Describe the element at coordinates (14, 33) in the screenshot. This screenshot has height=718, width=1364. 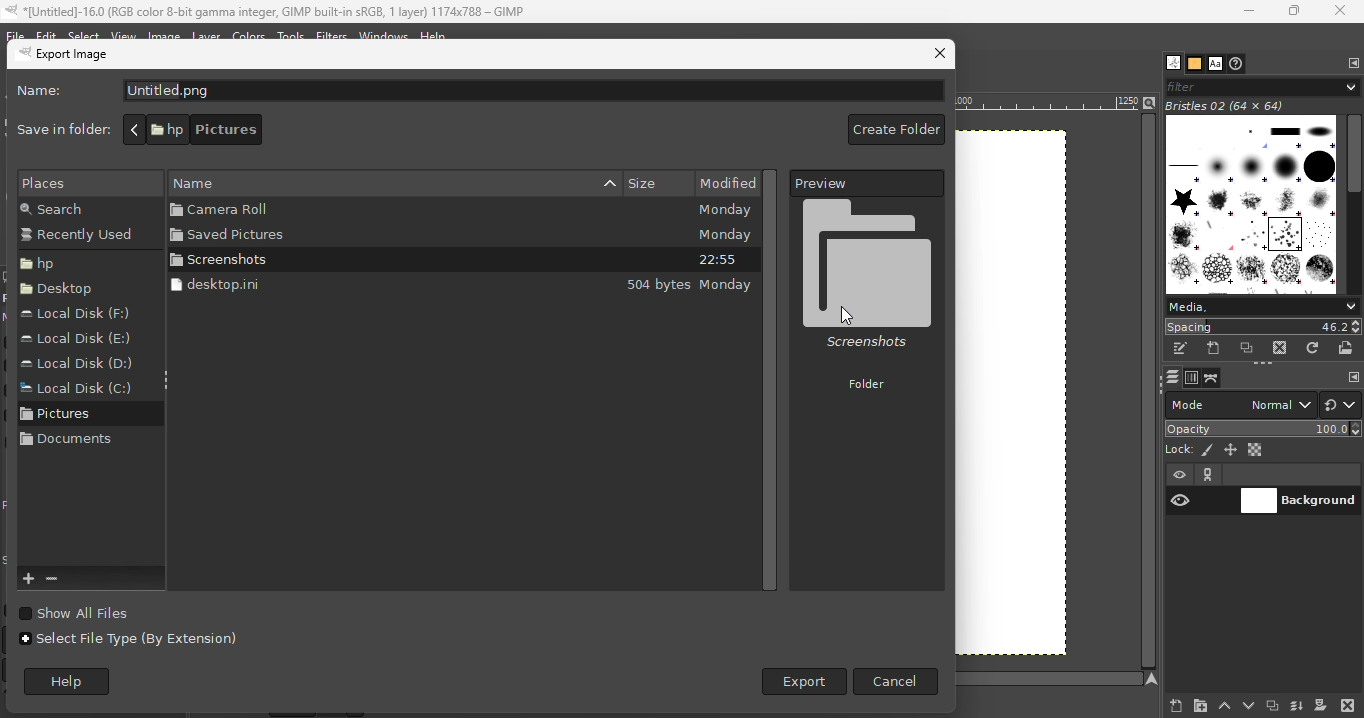
I see `File` at that location.